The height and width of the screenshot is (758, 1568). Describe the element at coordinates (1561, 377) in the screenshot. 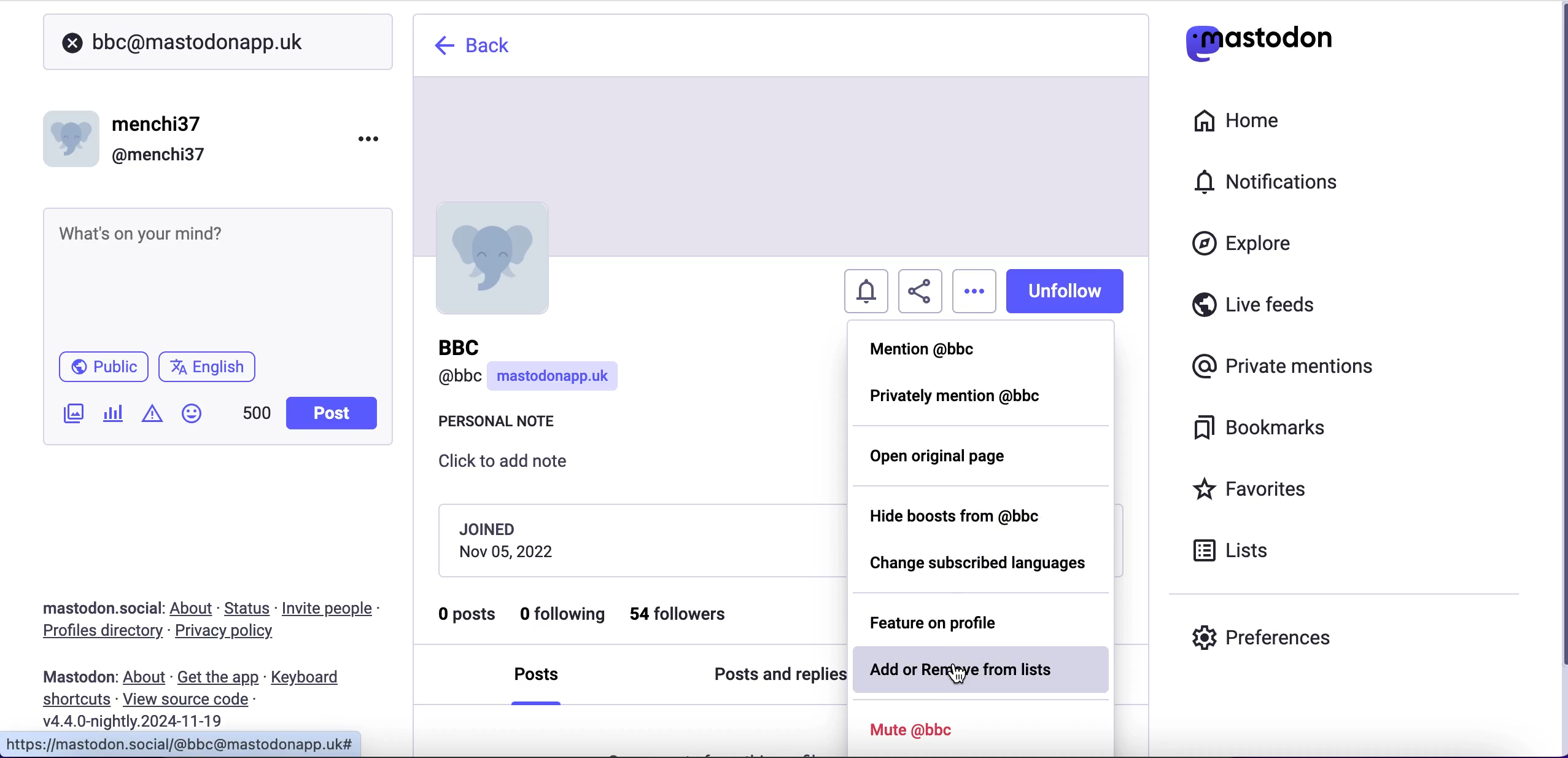

I see `scroll bar` at that location.